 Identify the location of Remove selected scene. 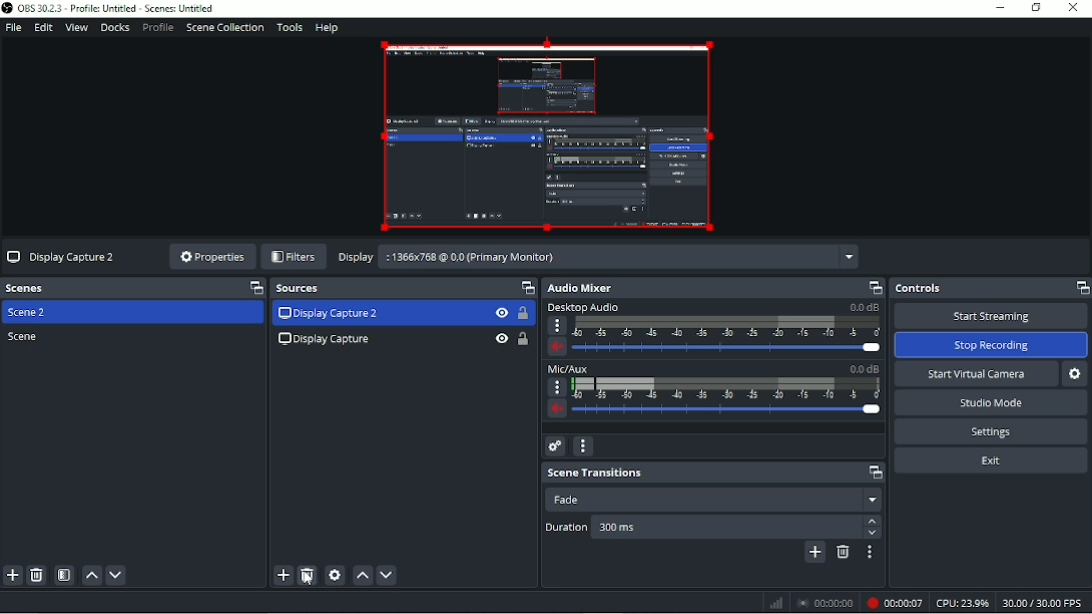
(37, 575).